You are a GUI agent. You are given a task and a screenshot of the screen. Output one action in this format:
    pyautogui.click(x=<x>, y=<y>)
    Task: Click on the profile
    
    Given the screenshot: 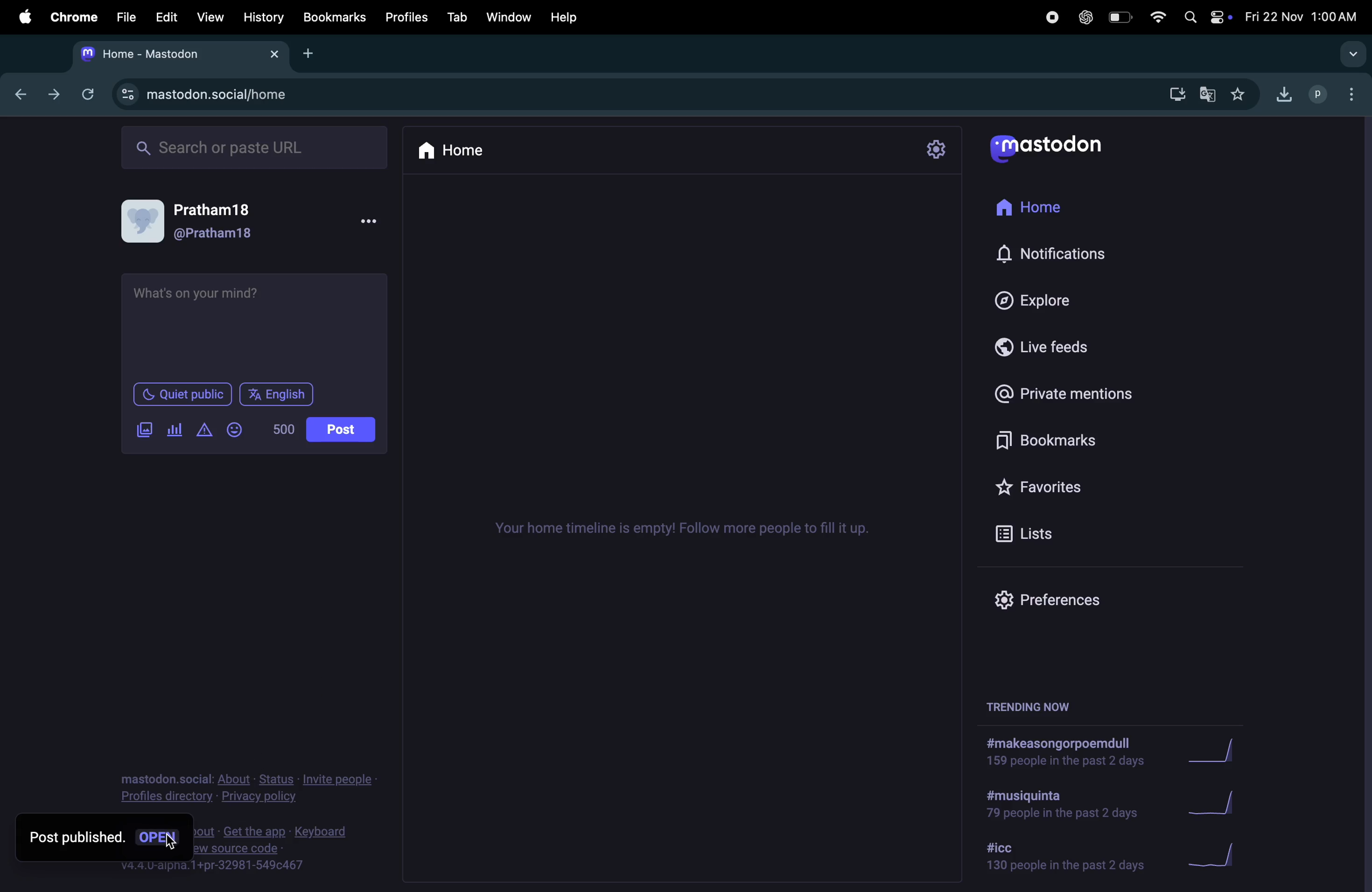 What is the action you would take?
    pyautogui.click(x=1312, y=95)
    